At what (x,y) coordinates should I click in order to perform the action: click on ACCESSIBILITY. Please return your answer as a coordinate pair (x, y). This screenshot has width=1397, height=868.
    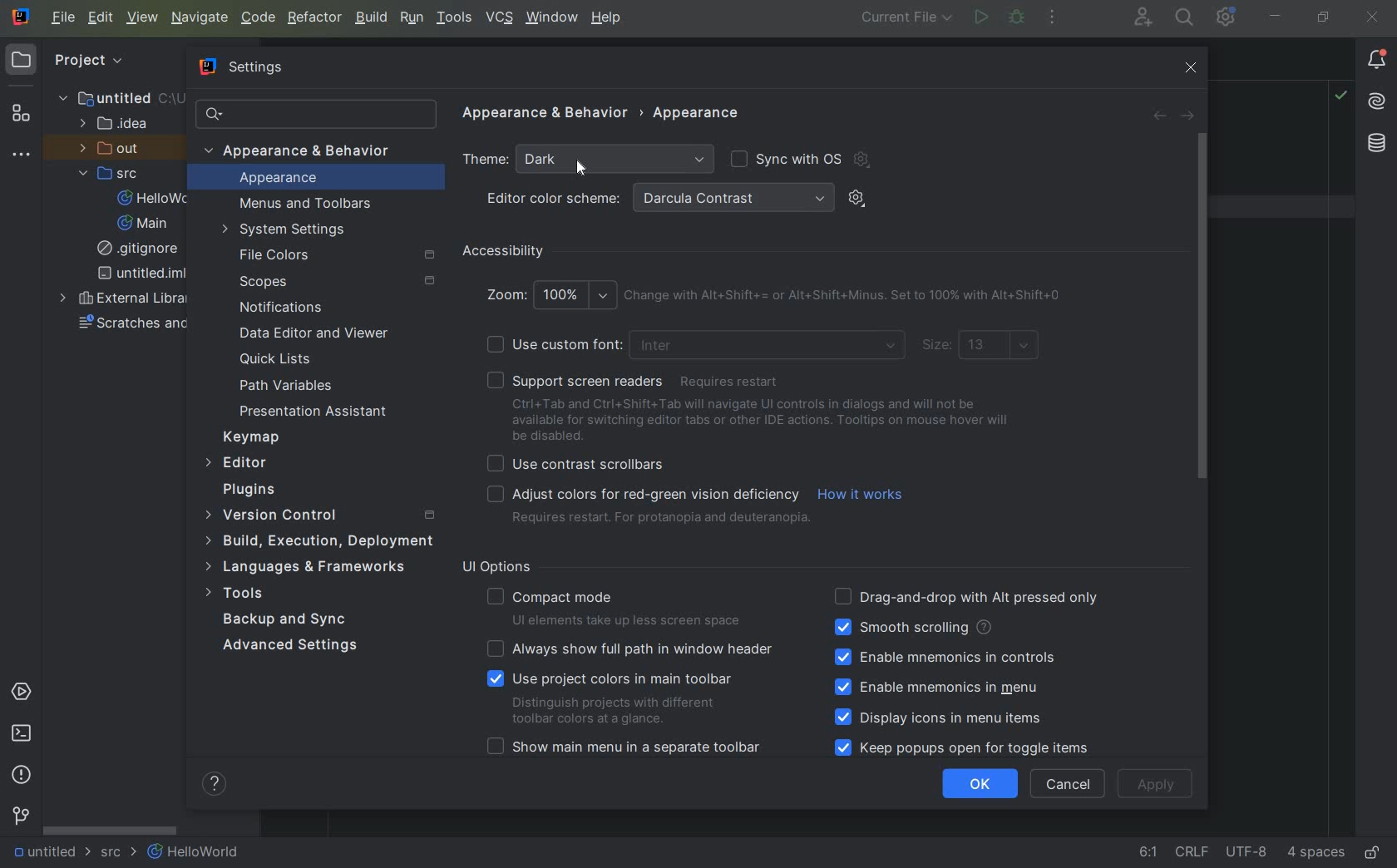
    Looking at the image, I should click on (504, 253).